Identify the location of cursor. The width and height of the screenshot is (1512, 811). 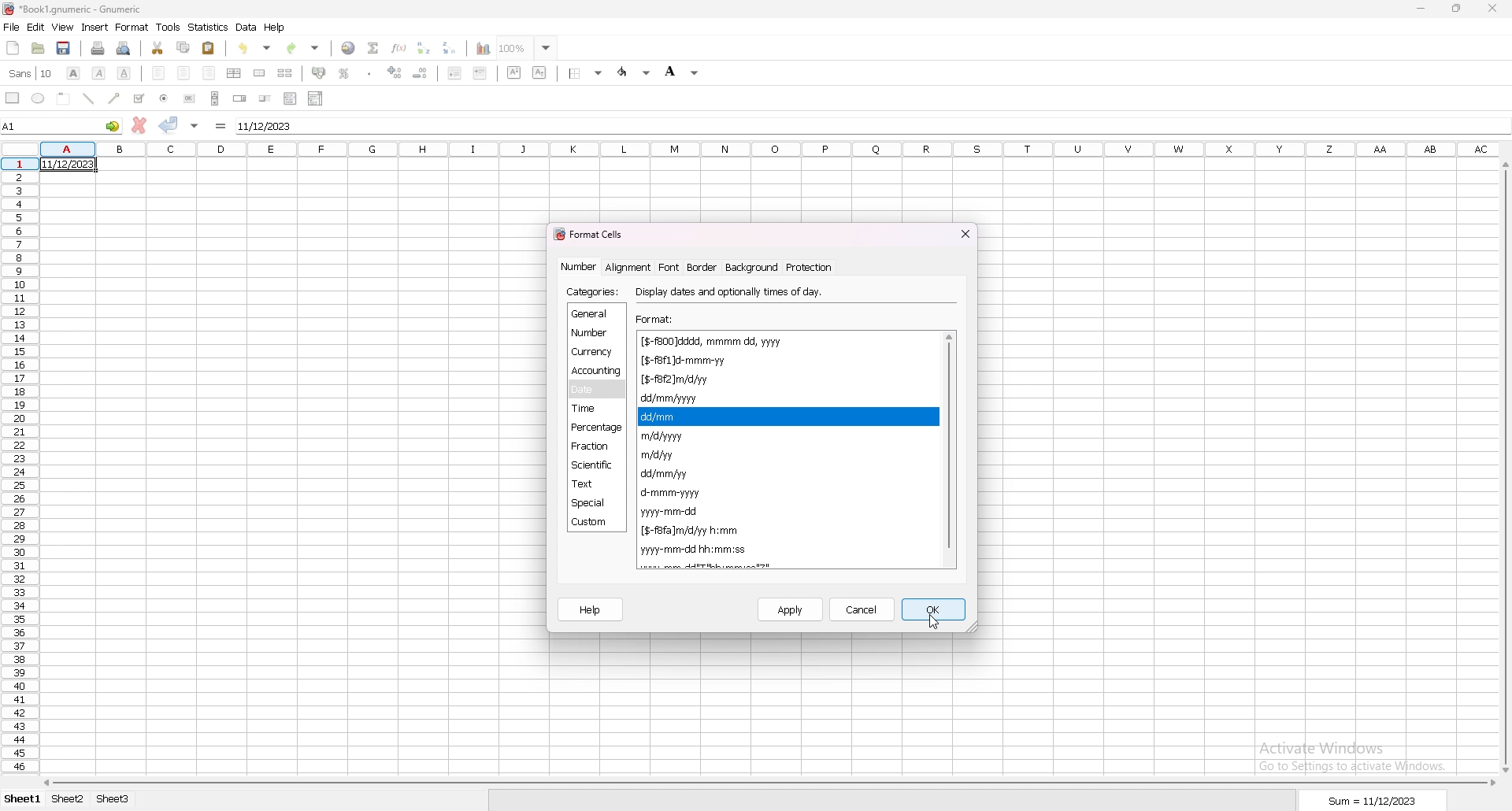
(932, 621).